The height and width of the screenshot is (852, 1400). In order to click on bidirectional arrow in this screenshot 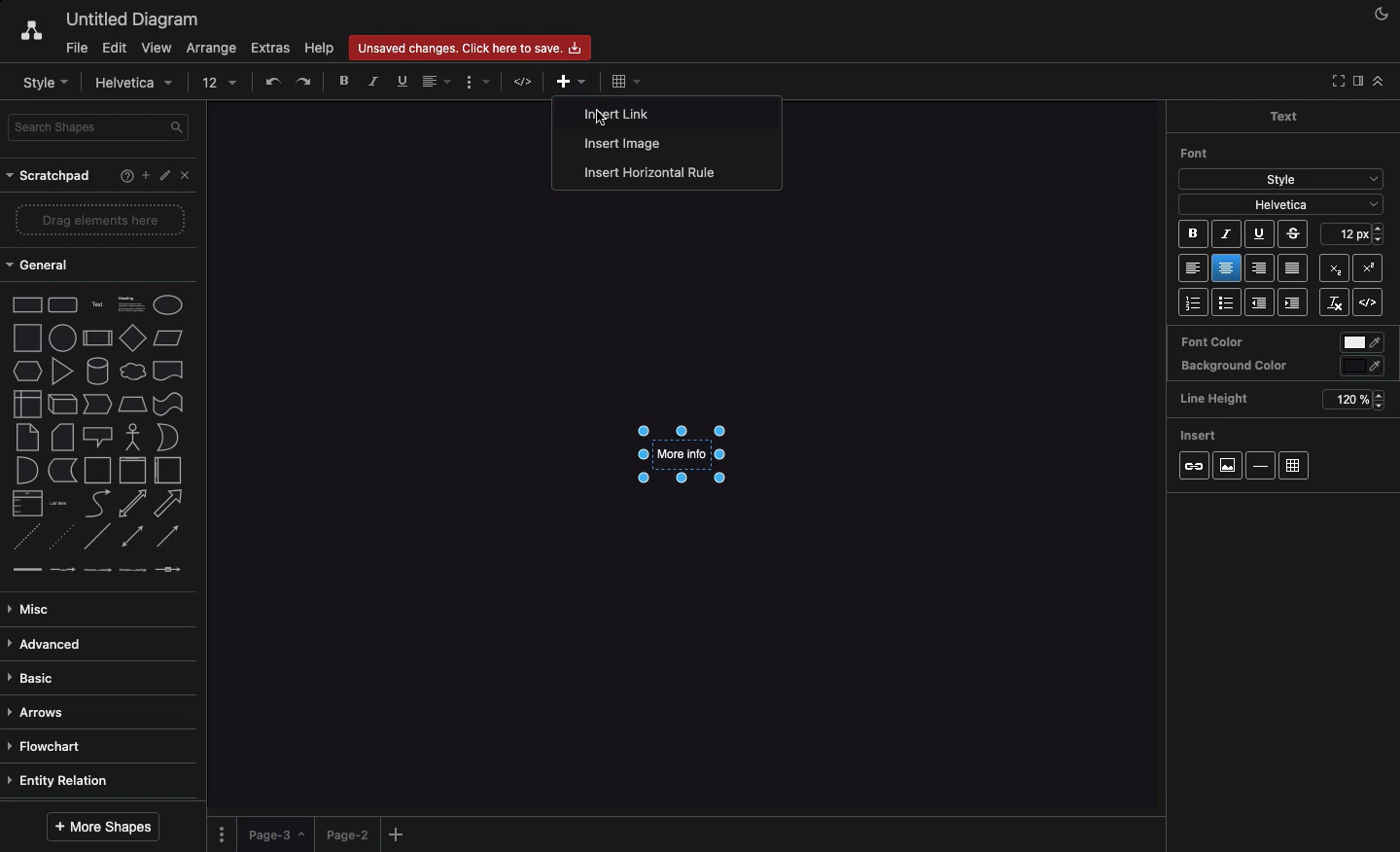, I will do `click(131, 504)`.